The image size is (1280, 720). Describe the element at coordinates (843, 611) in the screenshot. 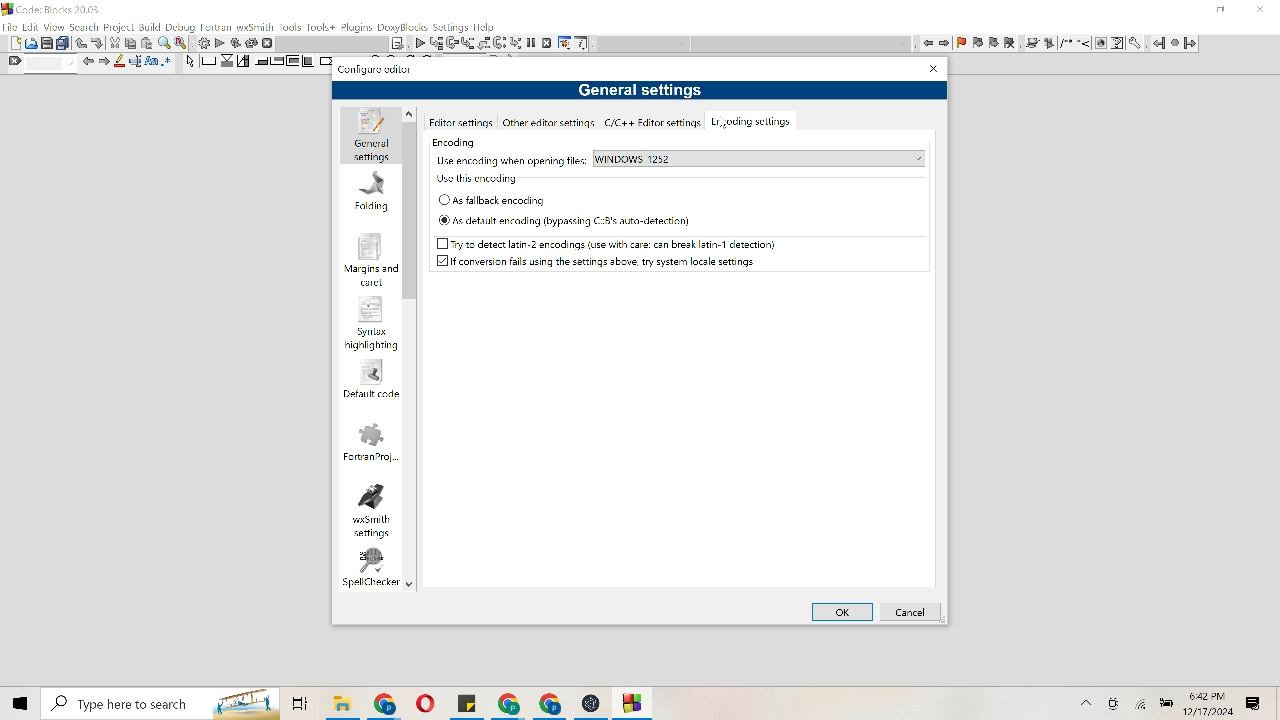

I see `Ok` at that location.